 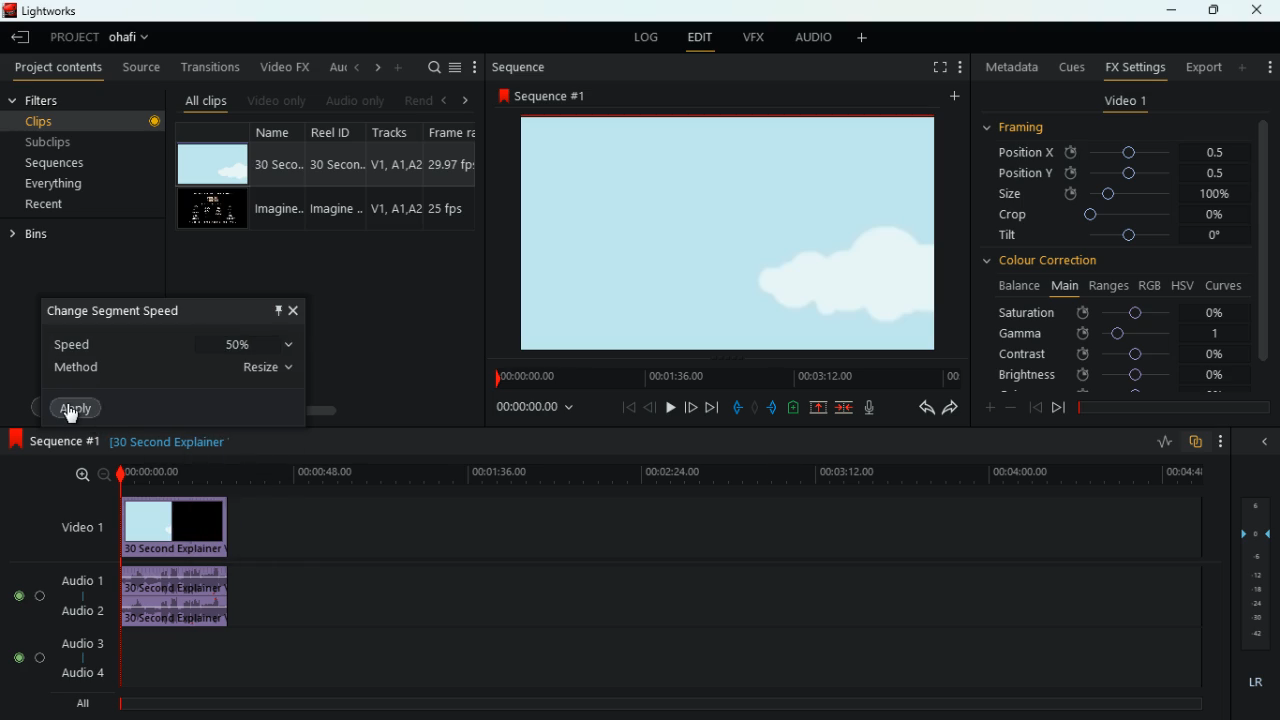 What do you see at coordinates (659, 475) in the screenshot?
I see `time` at bounding box center [659, 475].